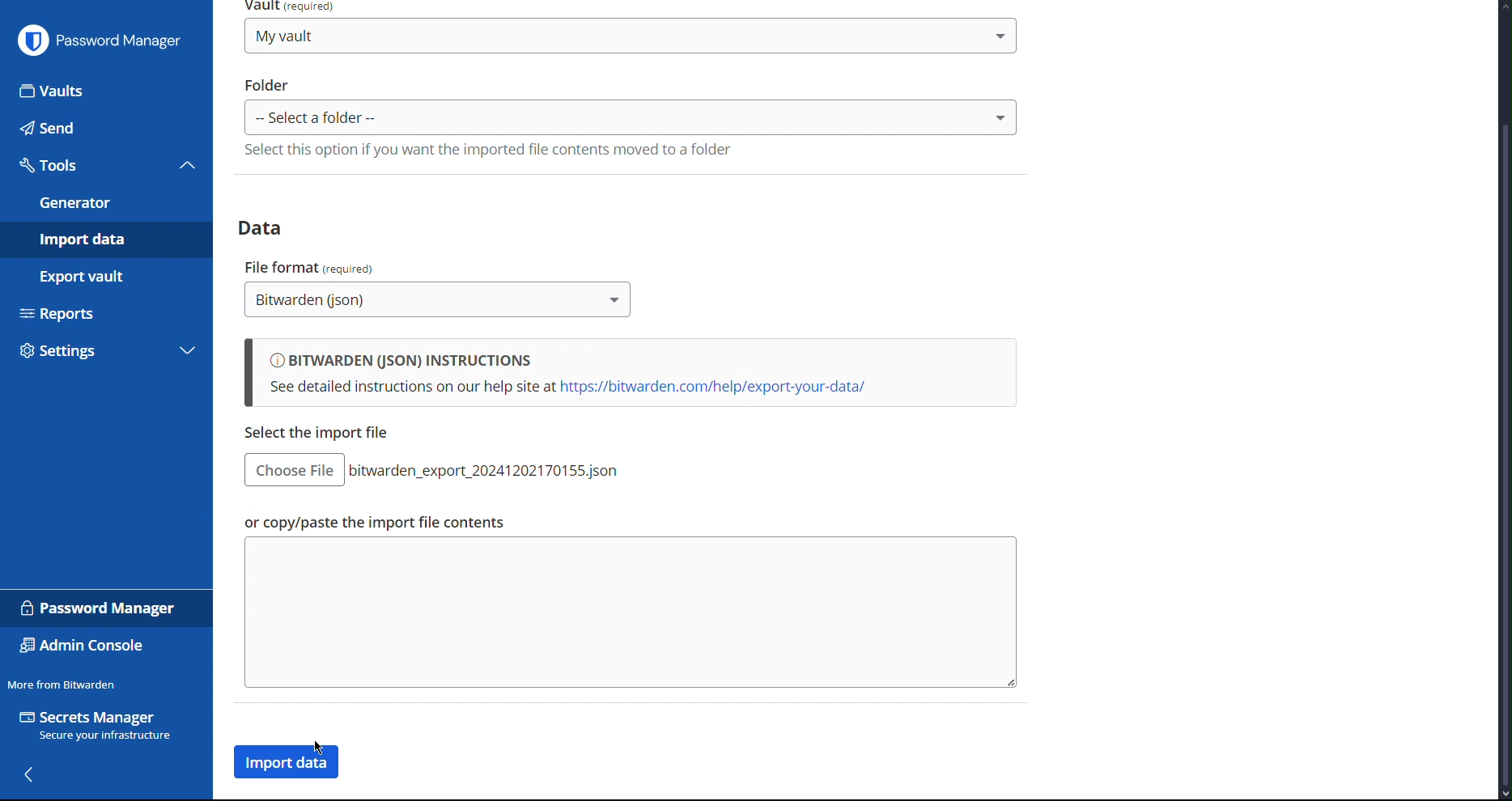 Image resolution: width=1512 pixels, height=801 pixels. Describe the element at coordinates (62, 684) in the screenshot. I see `Move from Bitwarden` at that location.